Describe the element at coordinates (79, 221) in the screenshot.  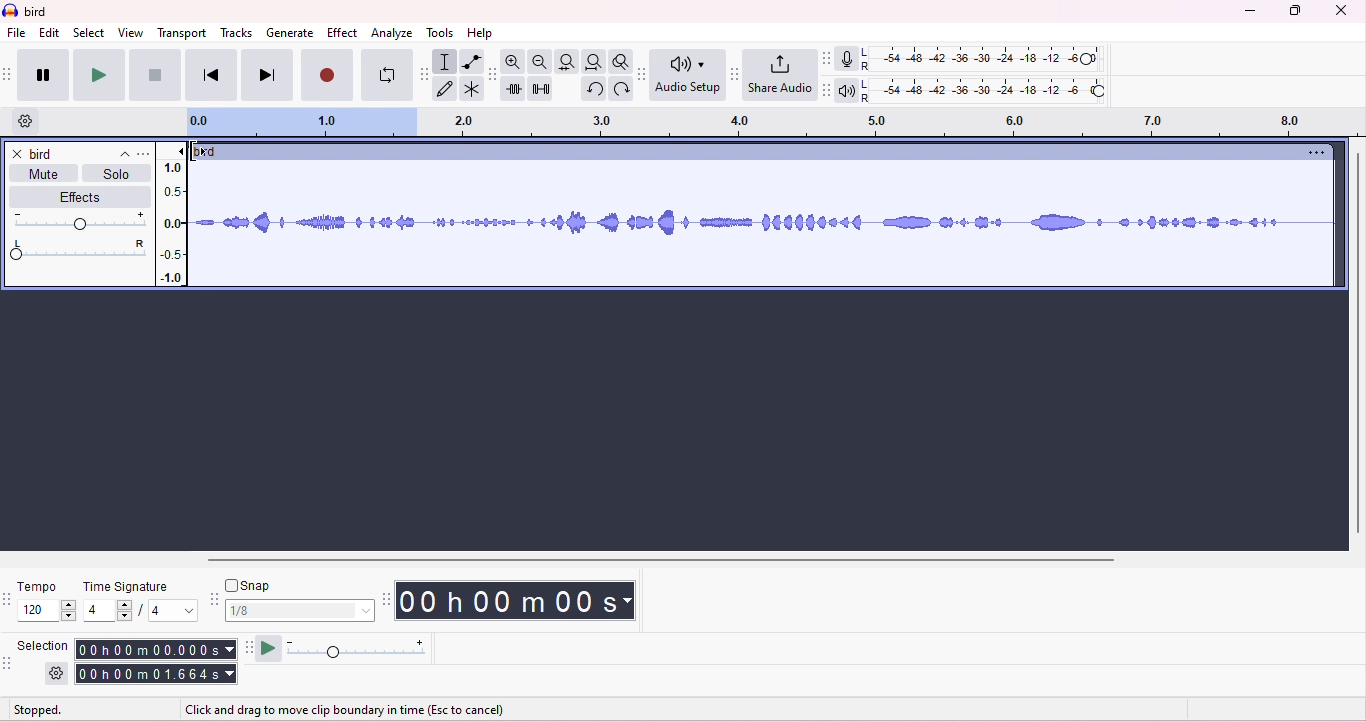
I see `volume` at that location.